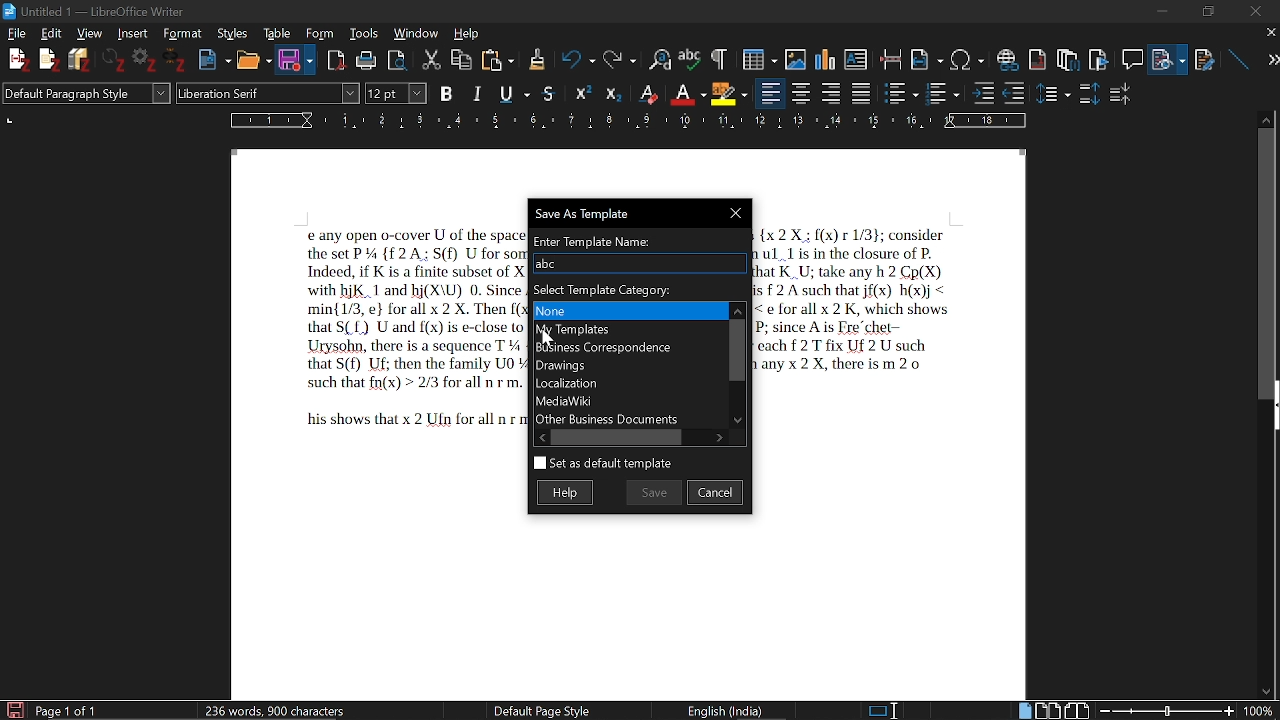  I want to click on Superscript, so click(647, 93).